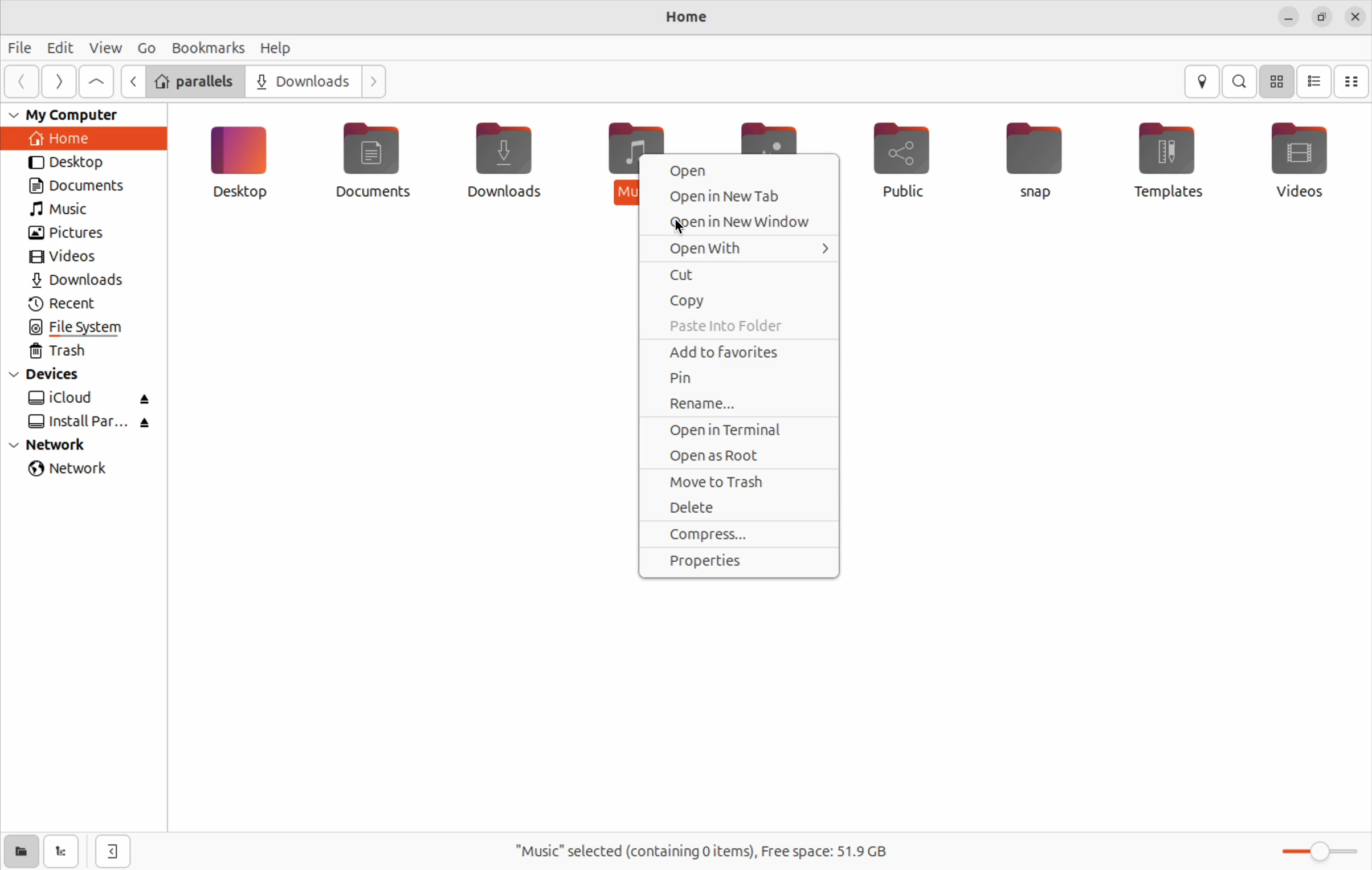 The image size is (1372, 870). Describe the element at coordinates (193, 81) in the screenshot. I see `Parallels` at that location.